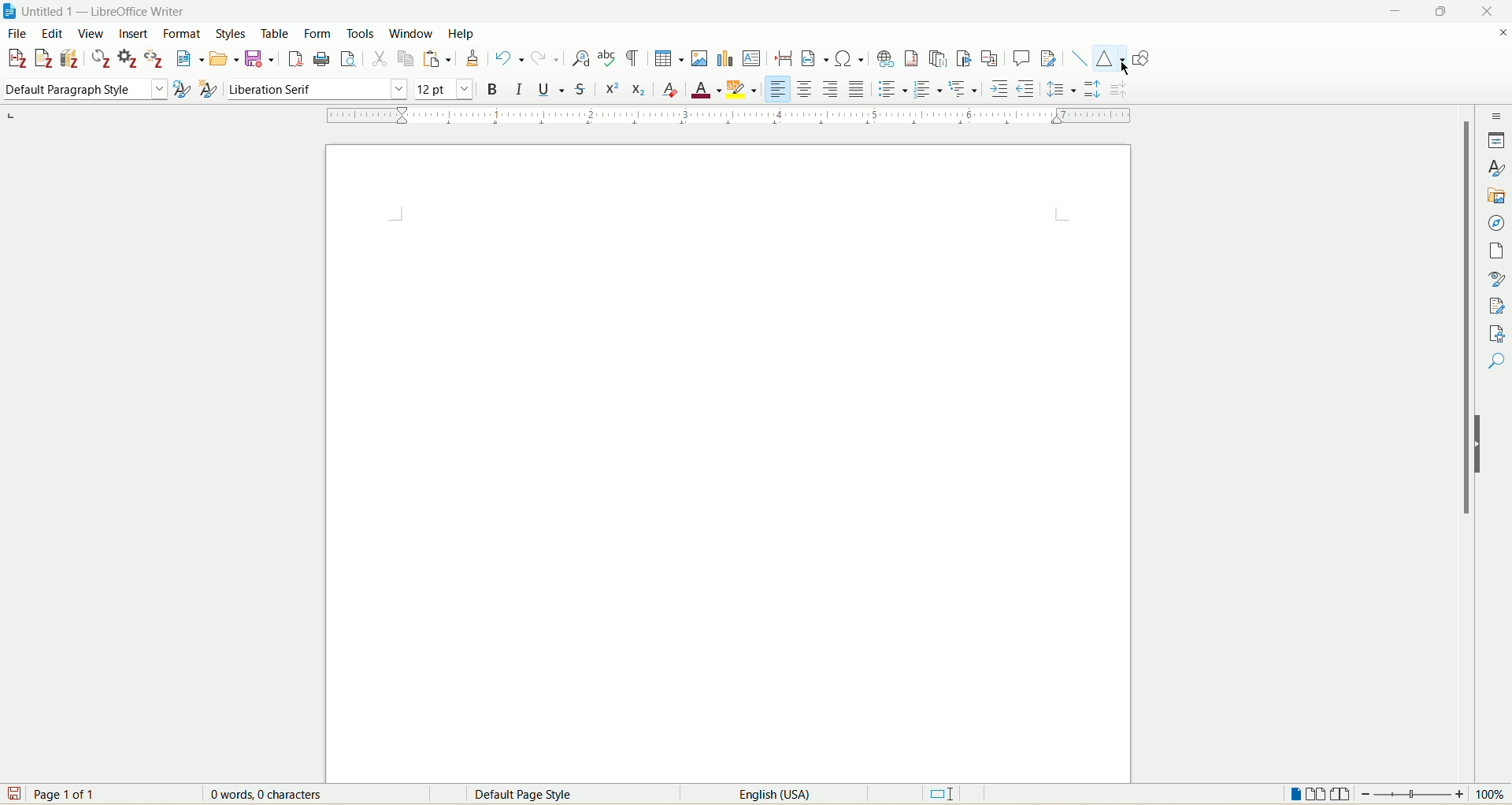  What do you see at coordinates (155, 58) in the screenshot?
I see `unlink citation` at bounding box center [155, 58].